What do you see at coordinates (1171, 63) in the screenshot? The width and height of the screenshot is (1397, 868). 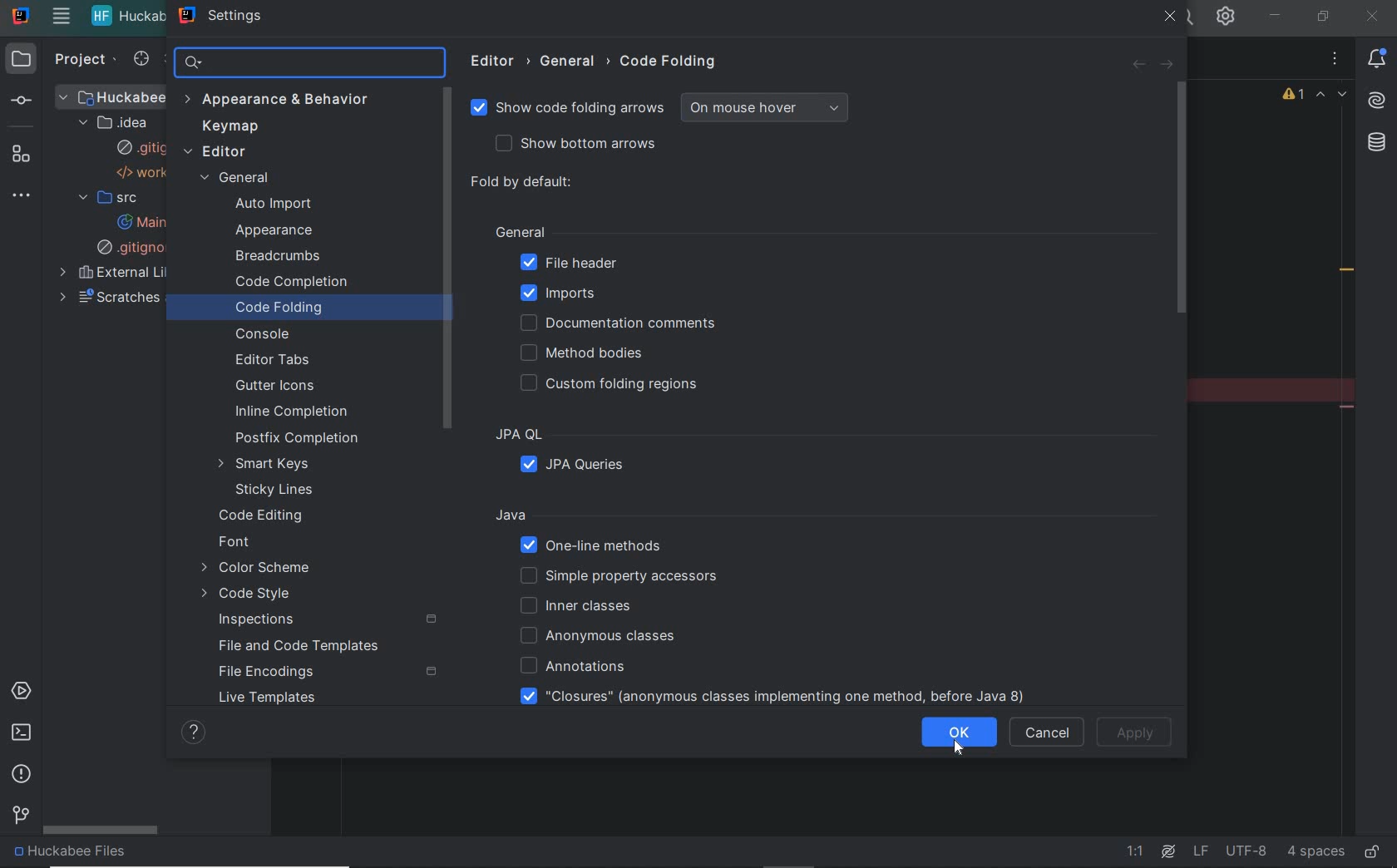 I see `forward` at bounding box center [1171, 63].